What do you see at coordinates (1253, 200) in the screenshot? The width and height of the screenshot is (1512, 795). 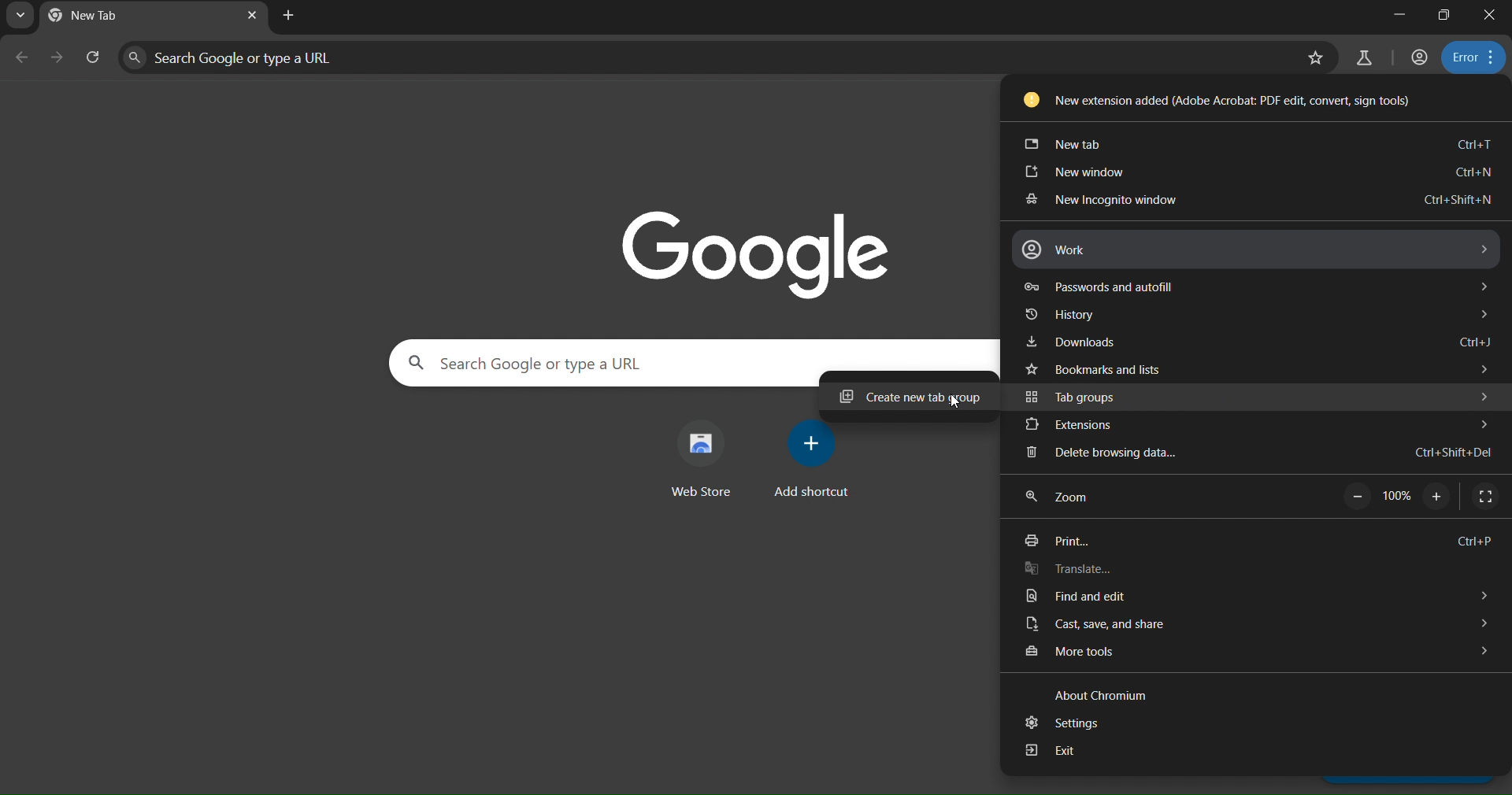 I see `new incognito window` at bounding box center [1253, 200].